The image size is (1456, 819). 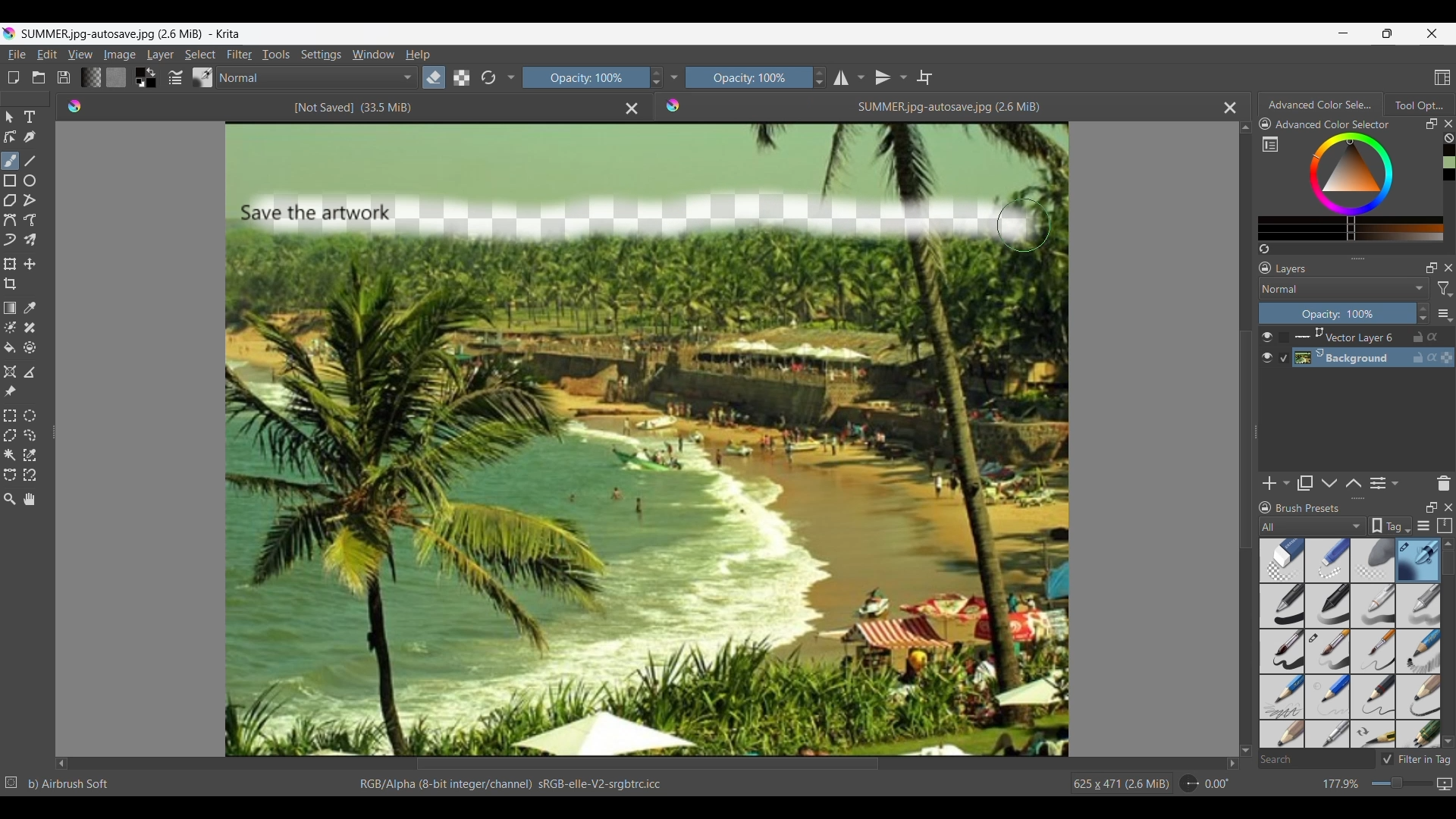 I want to click on Show/Hide tools, so click(x=674, y=77).